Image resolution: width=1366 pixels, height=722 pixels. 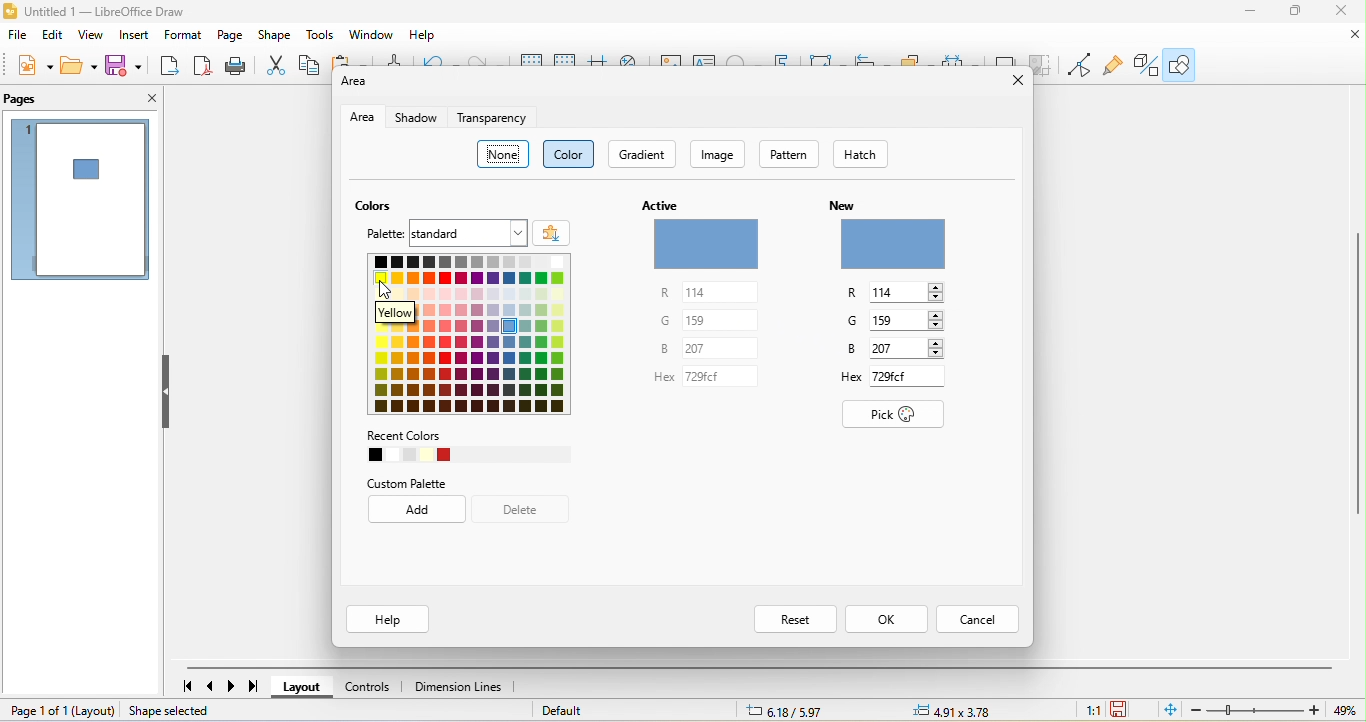 I want to click on close, so click(x=1351, y=36).